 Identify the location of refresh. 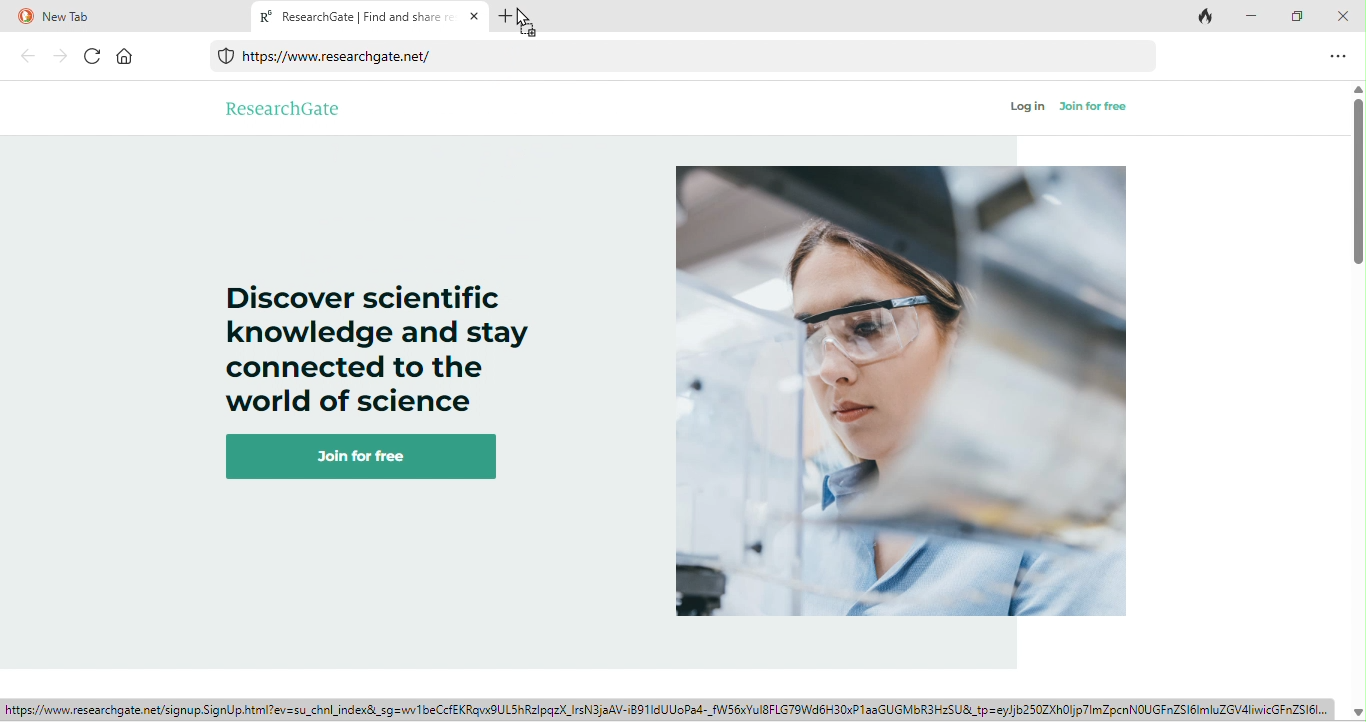
(94, 56).